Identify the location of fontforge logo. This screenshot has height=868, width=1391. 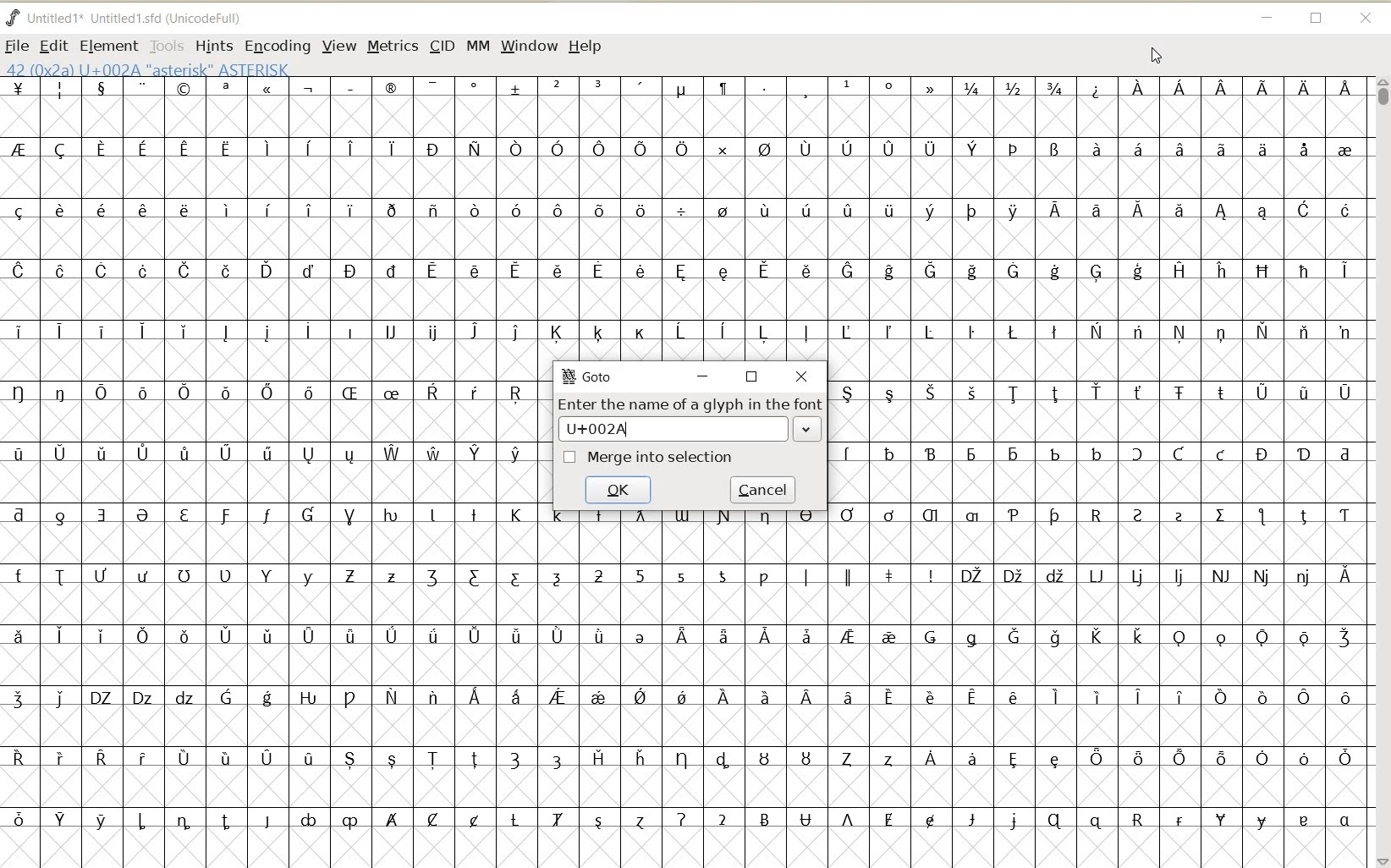
(14, 16).